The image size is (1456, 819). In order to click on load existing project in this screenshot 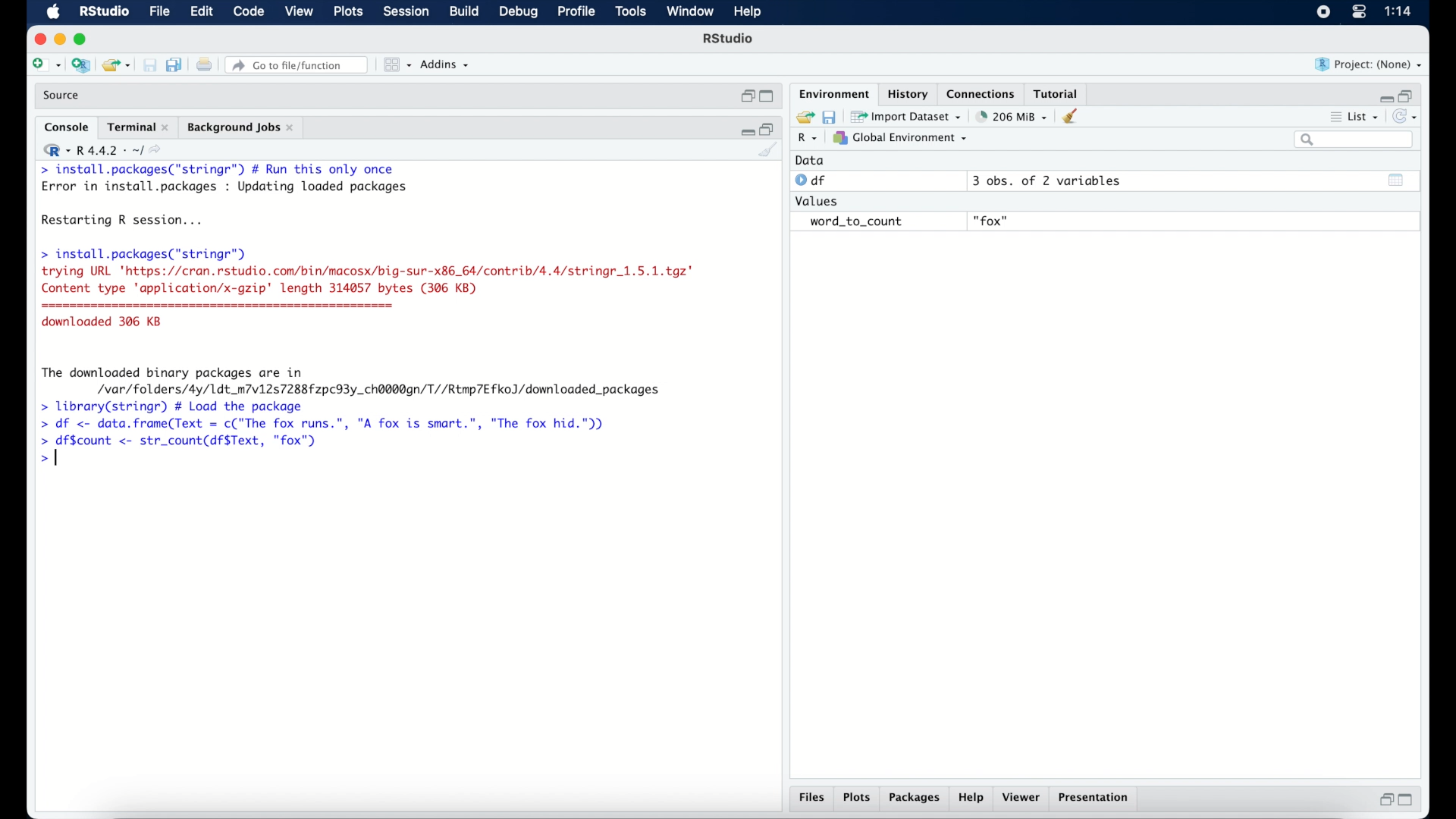, I will do `click(119, 66)`.